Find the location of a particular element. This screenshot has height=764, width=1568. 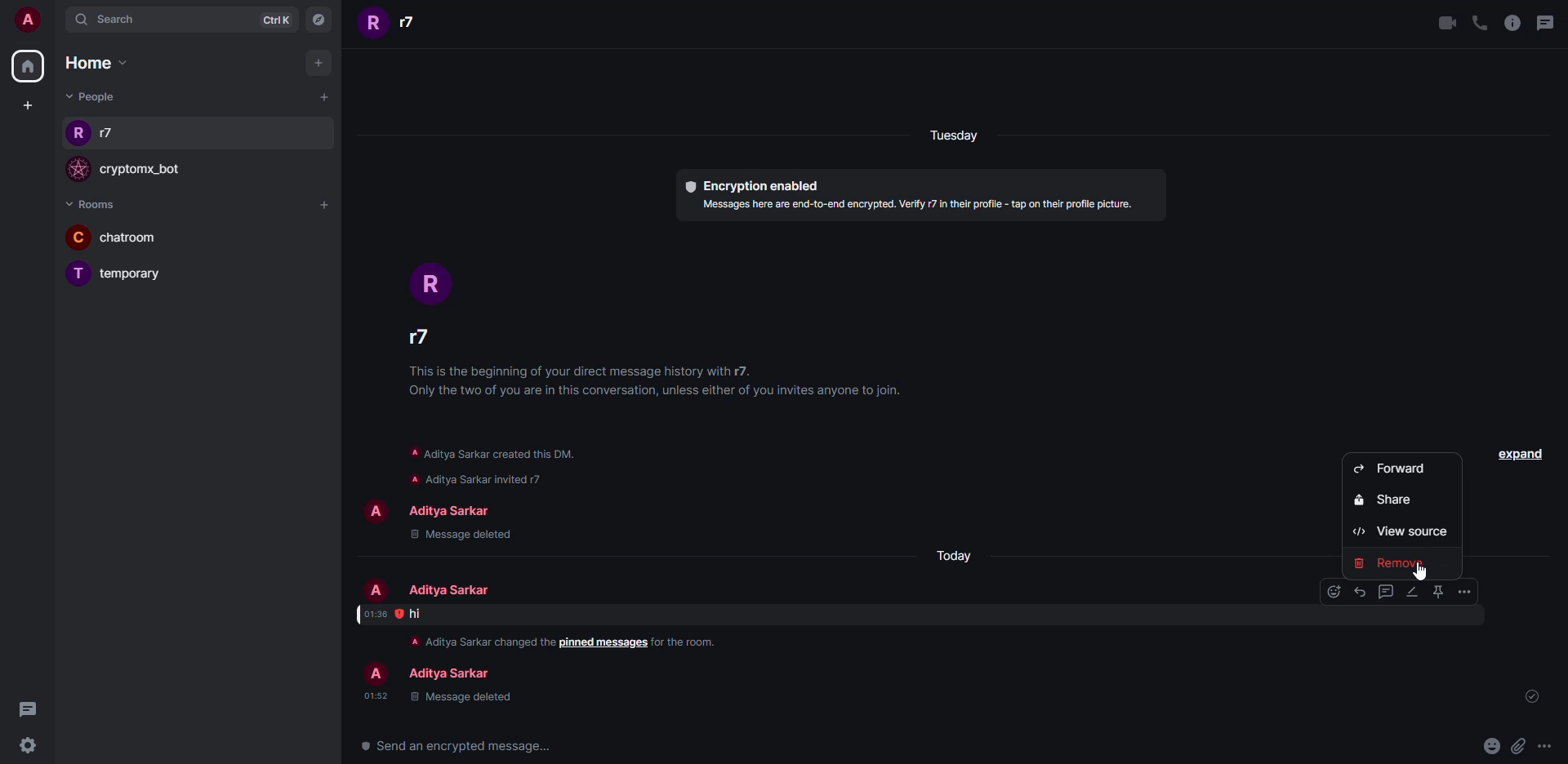

search is located at coordinates (114, 19).